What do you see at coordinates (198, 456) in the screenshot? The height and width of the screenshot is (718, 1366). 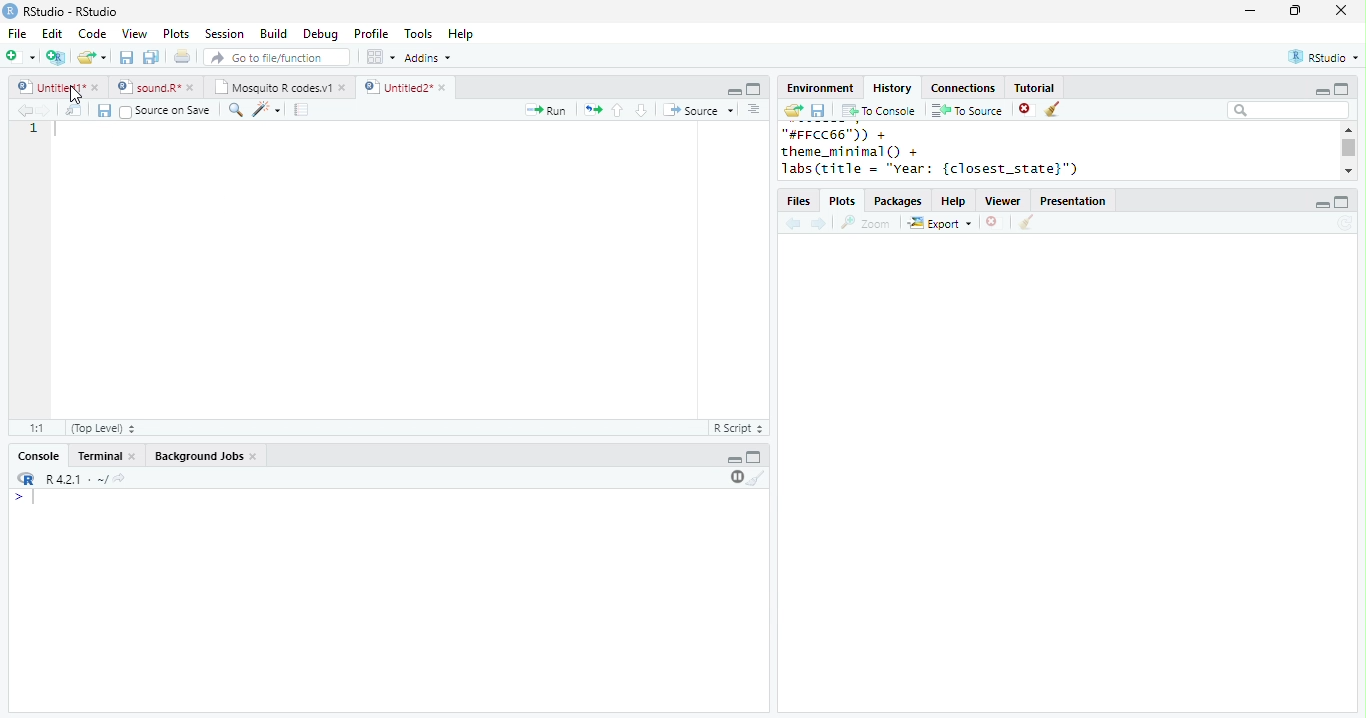 I see `Background Jobs` at bounding box center [198, 456].